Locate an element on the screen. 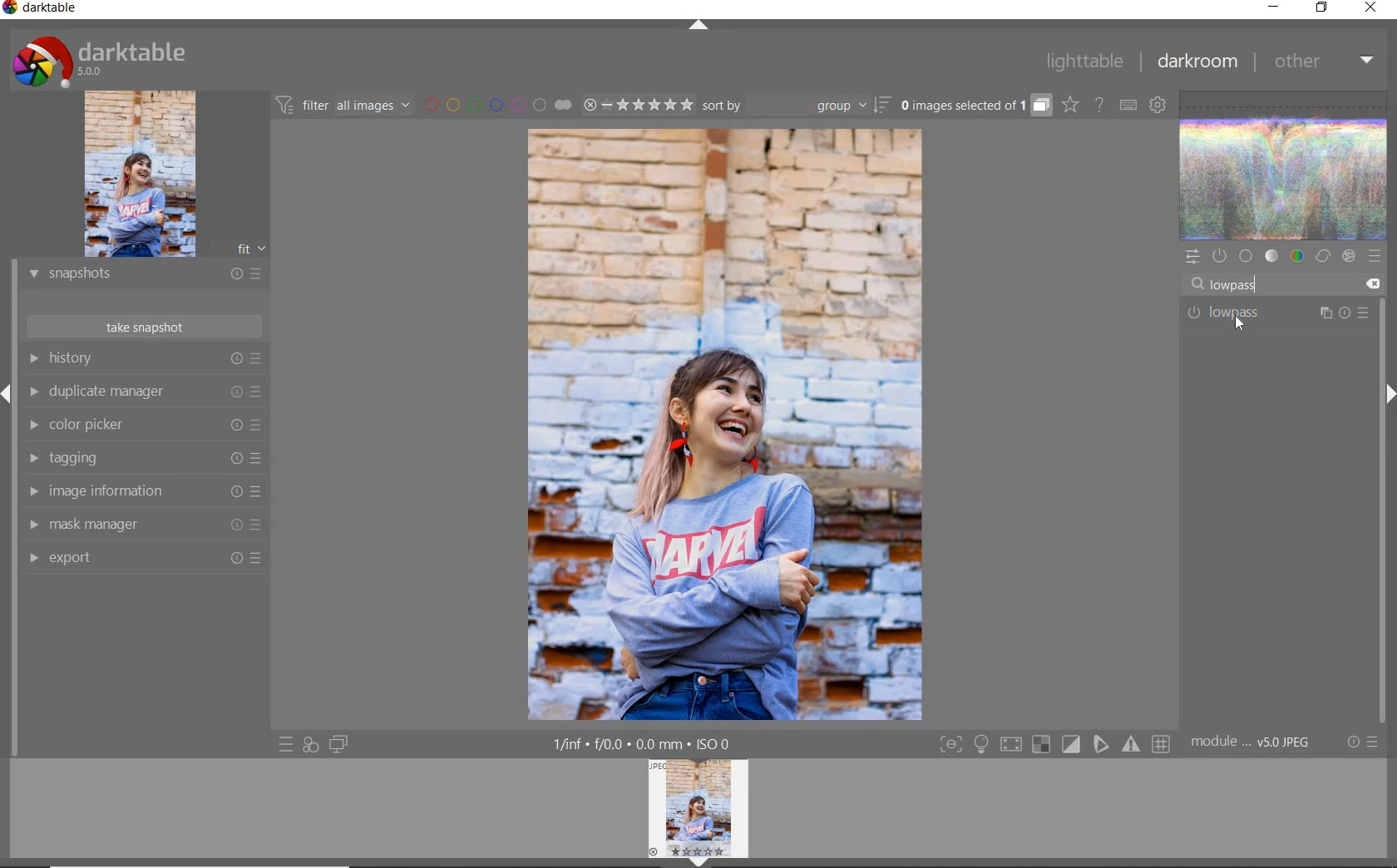 This screenshot has height=868, width=1397. sort is located at coordinates (797, 107).